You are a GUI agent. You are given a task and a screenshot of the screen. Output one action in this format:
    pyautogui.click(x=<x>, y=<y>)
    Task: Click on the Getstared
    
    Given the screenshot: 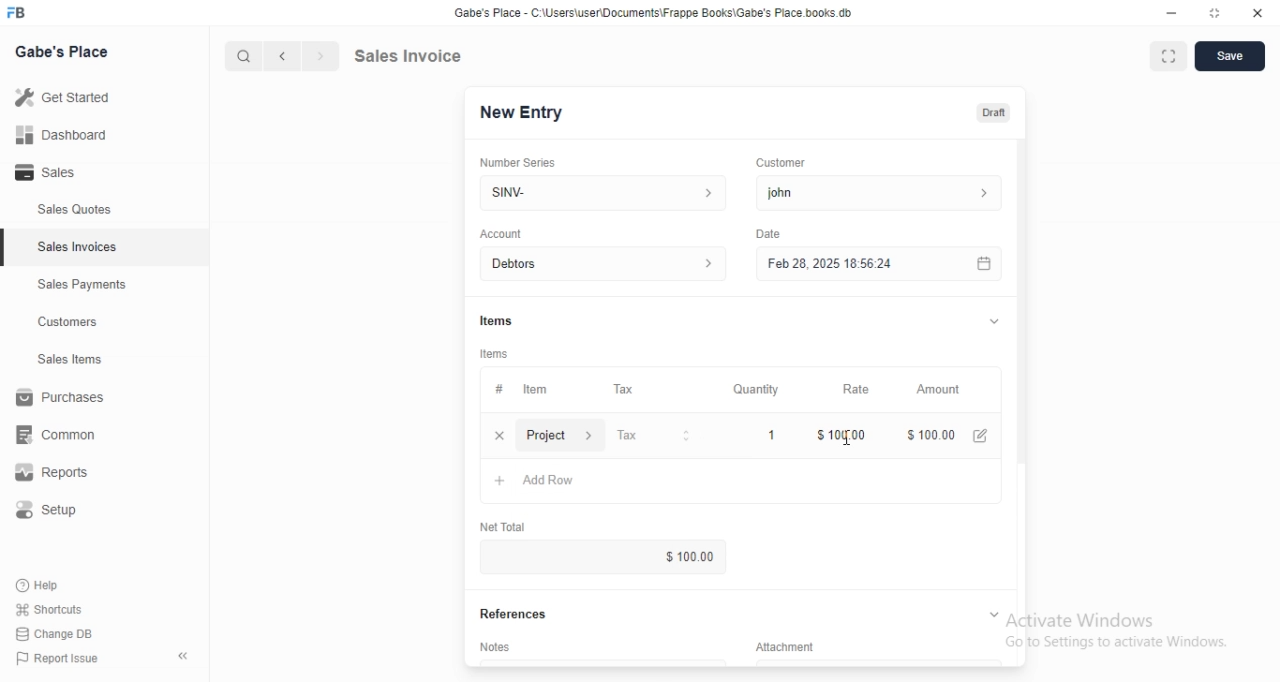 What is the action you would take?
    pyautogui.click(x=68, y=99)
    